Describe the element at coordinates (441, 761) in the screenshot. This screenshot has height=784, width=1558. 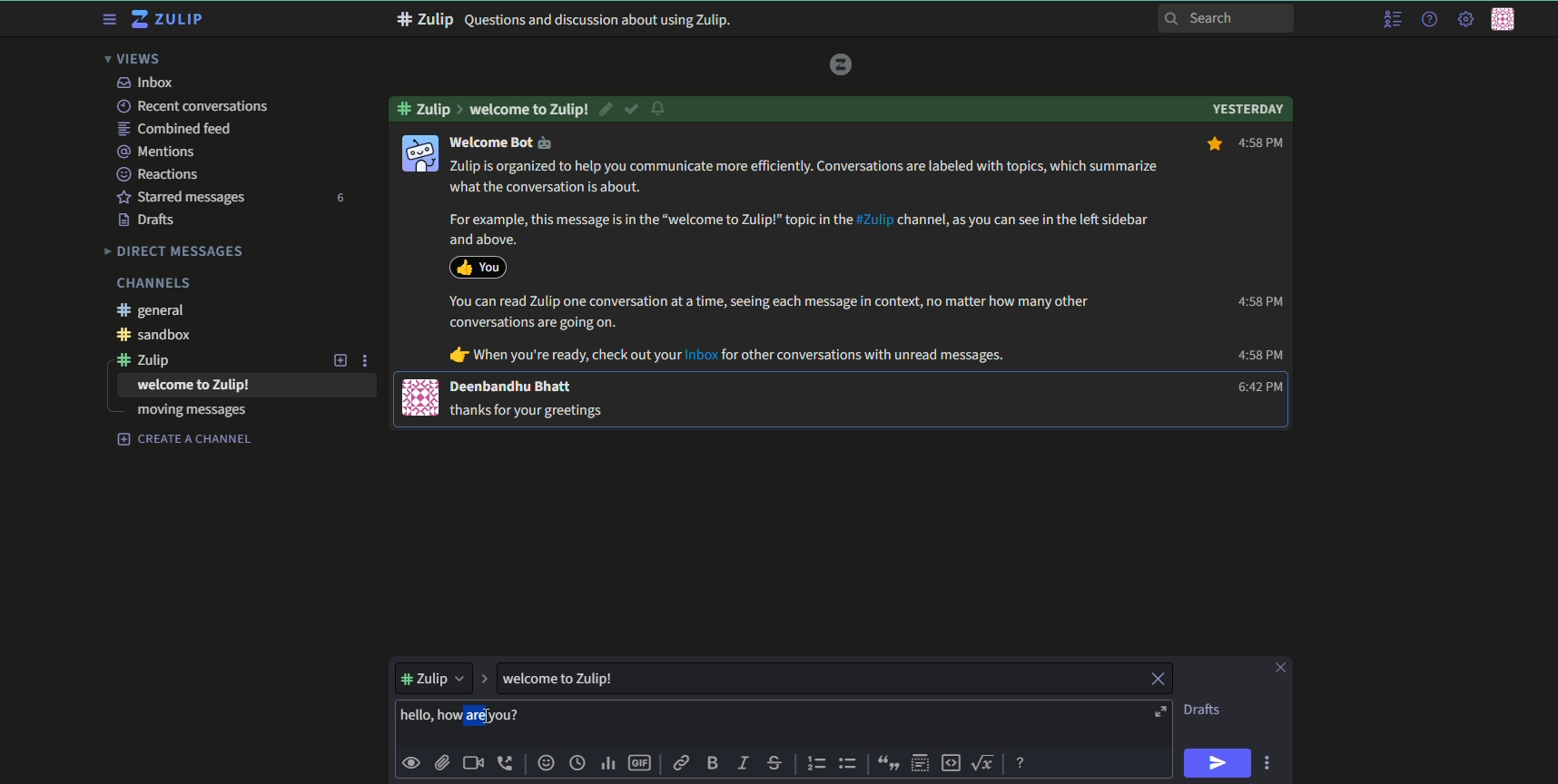
I see `upload files` at that location.